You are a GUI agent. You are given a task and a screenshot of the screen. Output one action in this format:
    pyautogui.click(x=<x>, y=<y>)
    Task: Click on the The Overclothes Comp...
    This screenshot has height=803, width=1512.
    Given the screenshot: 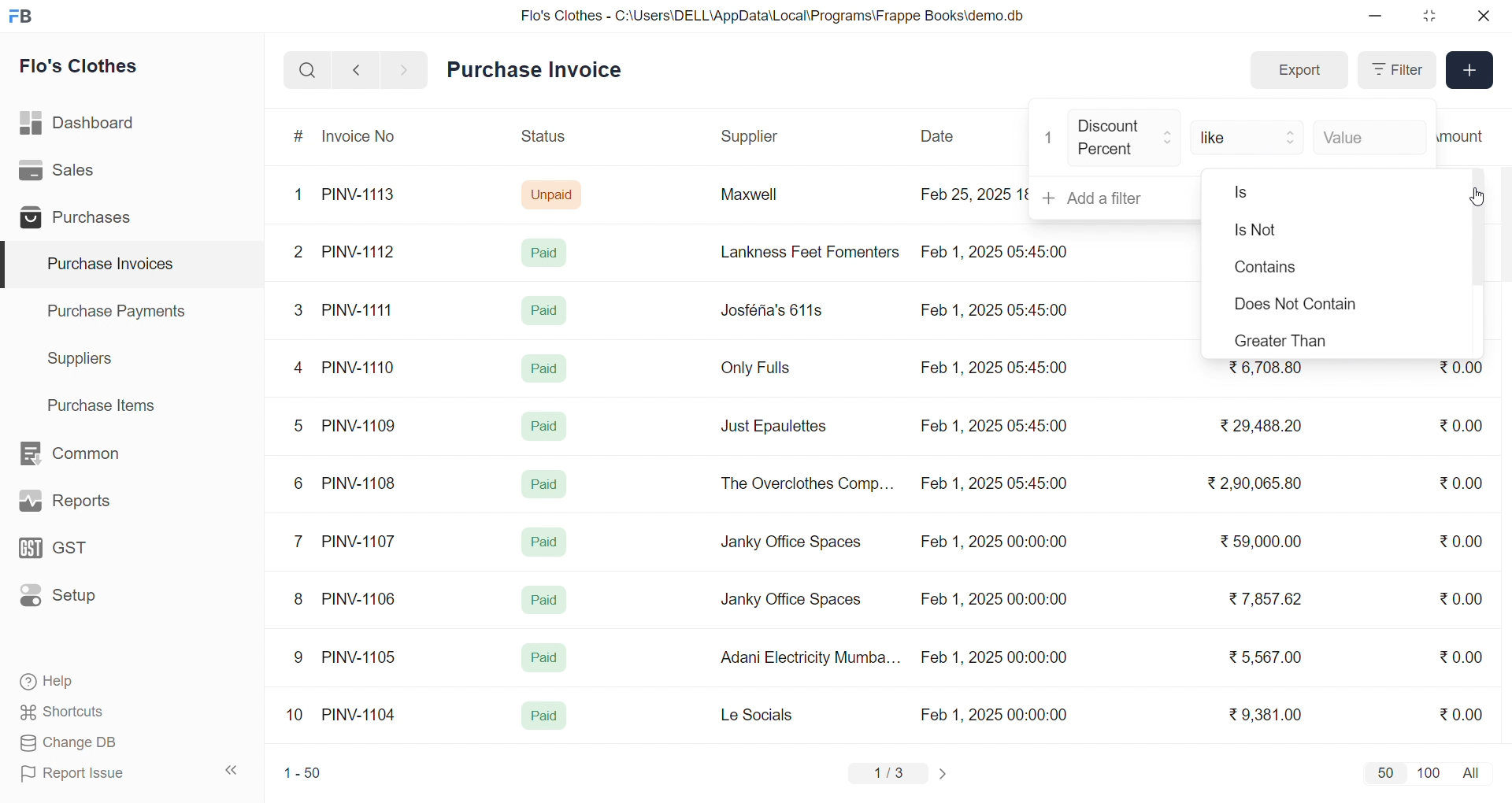 What is the action you would take?
    pyautogui.click(x=805, y=483)
    